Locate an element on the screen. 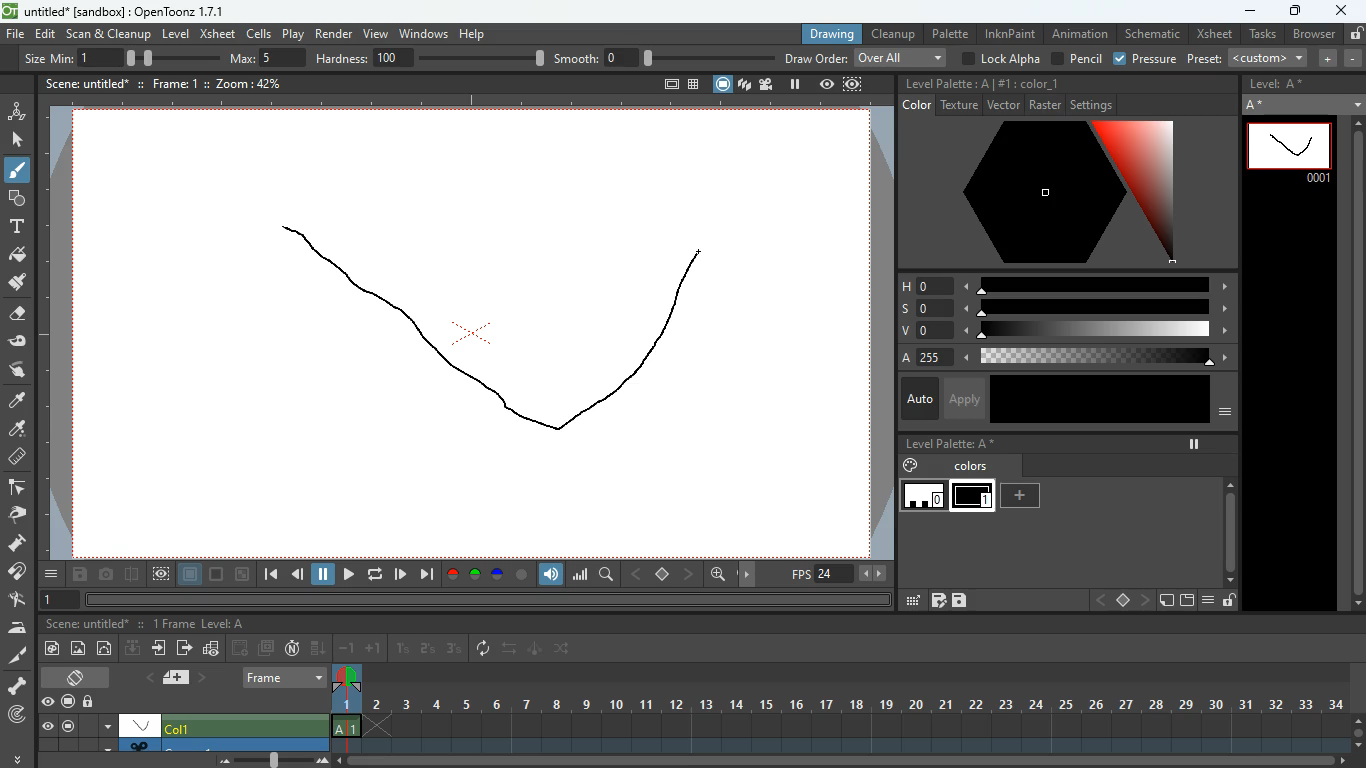 This screenshot has width=1366, height=768. hardness is located at coordinates (430, 58).